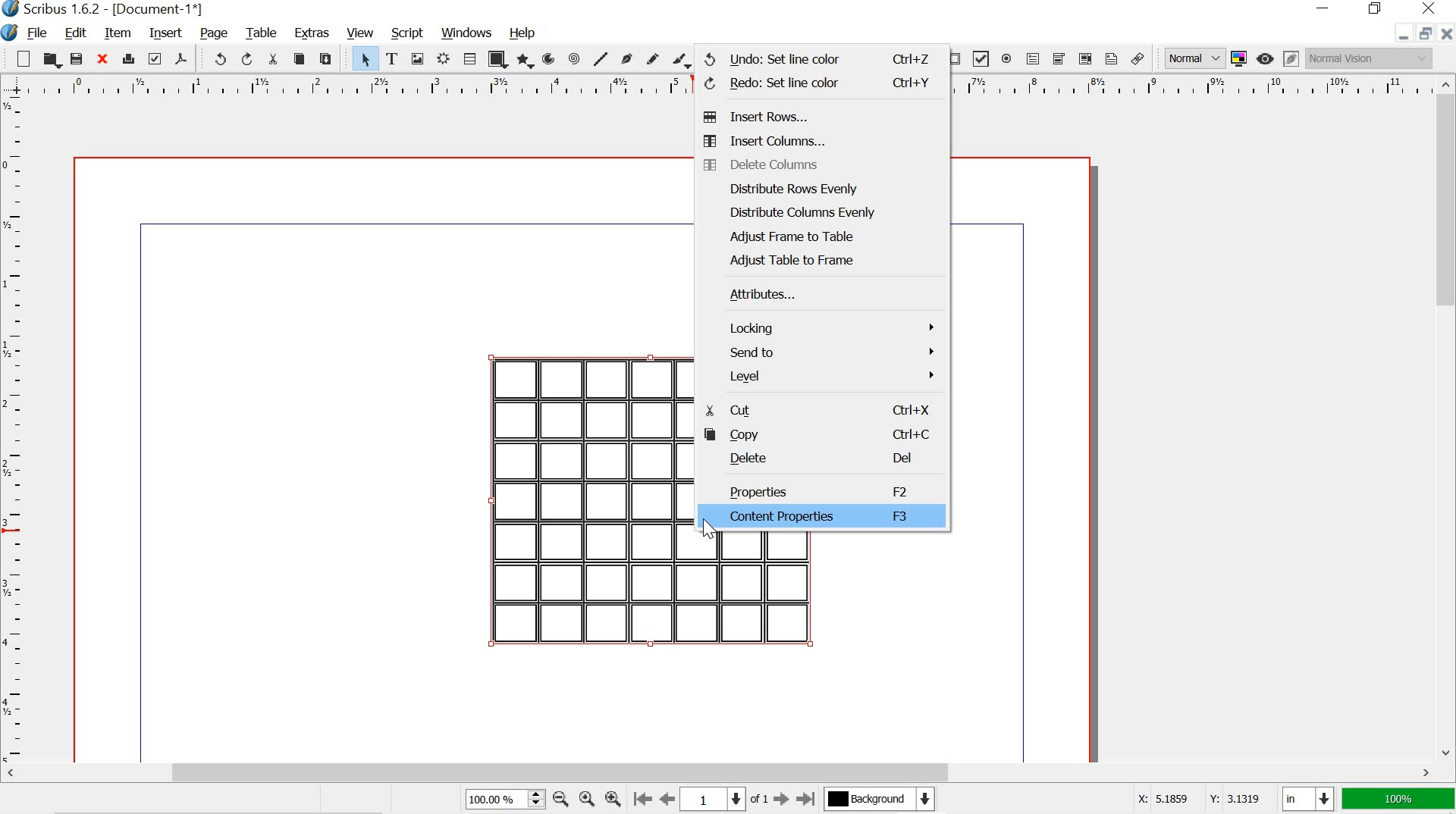  I want to click on insert, so click(165, 31).